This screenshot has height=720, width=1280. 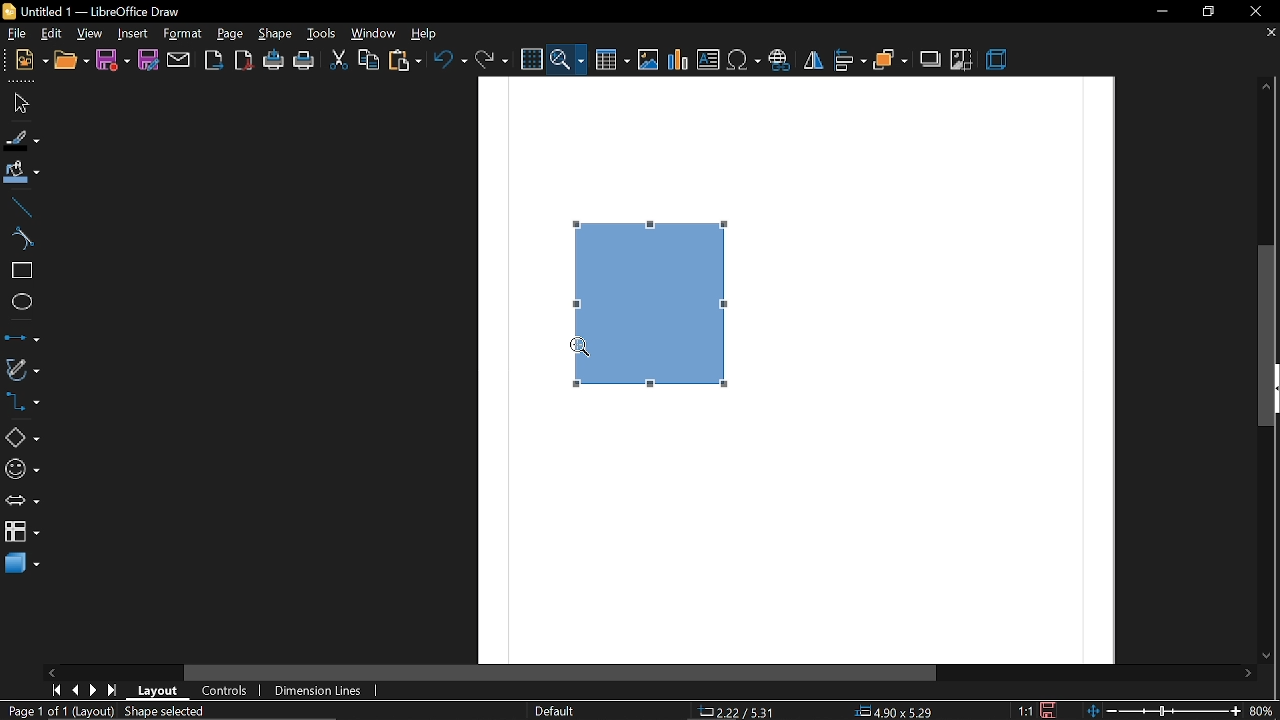 I want to click on save, so click(x=1049, y=710).